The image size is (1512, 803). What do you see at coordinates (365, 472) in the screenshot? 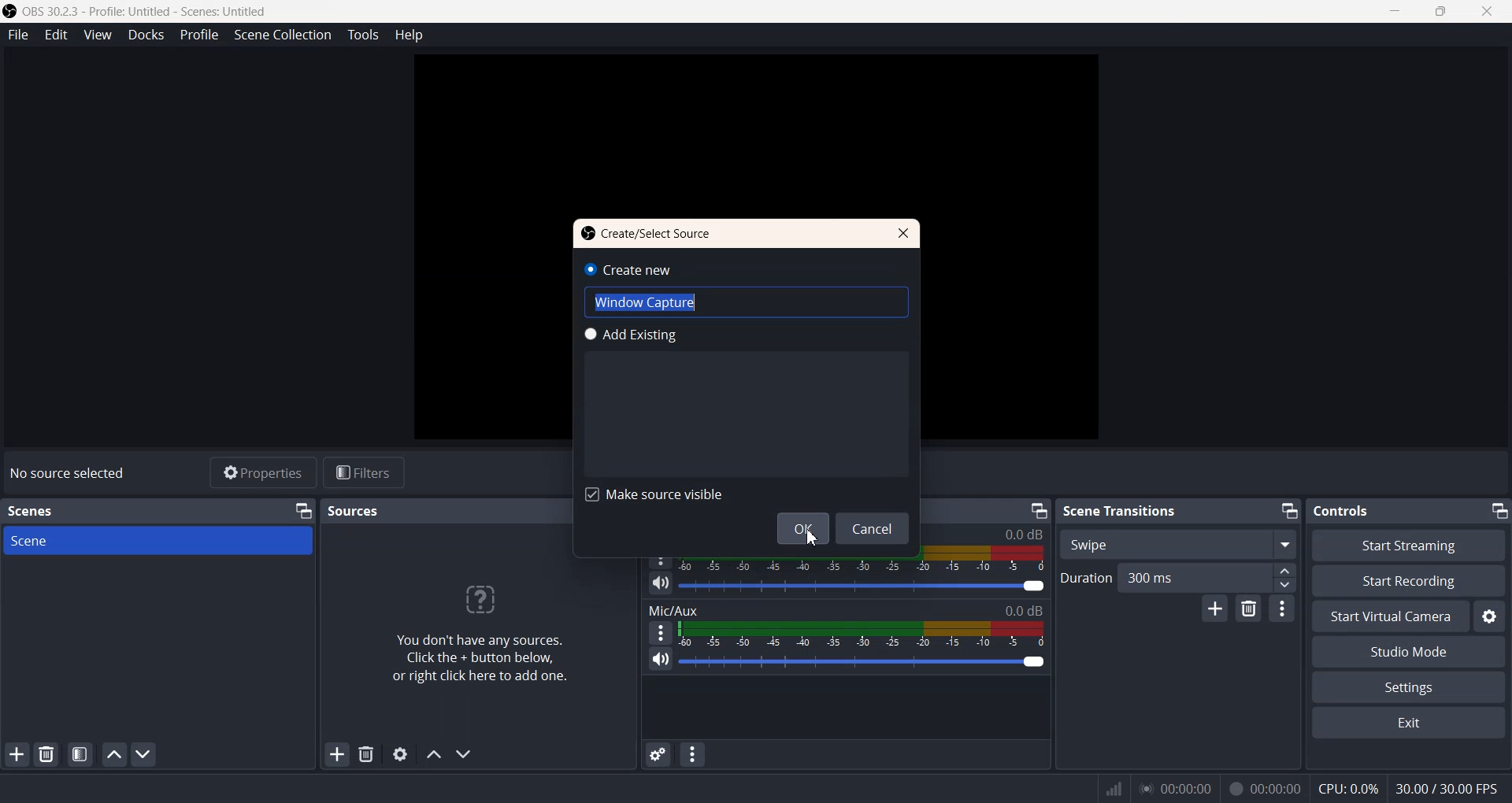
I see `Filters` at bounding box center [365, 472].